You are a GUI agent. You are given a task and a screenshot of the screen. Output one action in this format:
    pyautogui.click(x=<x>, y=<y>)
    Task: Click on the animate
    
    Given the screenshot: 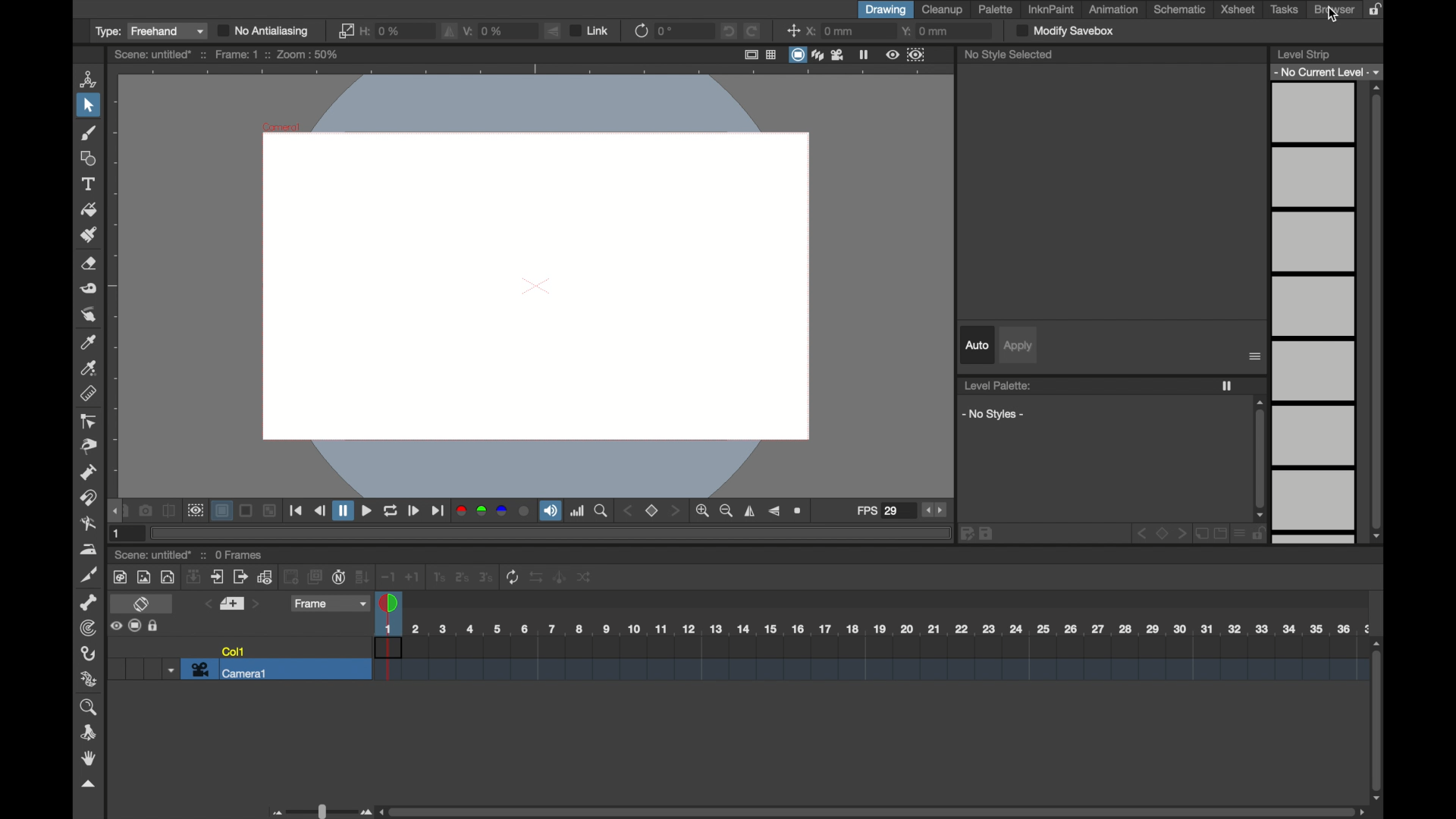 What is the action you would take?
    pyautogui.click(x=560, y=576)
    